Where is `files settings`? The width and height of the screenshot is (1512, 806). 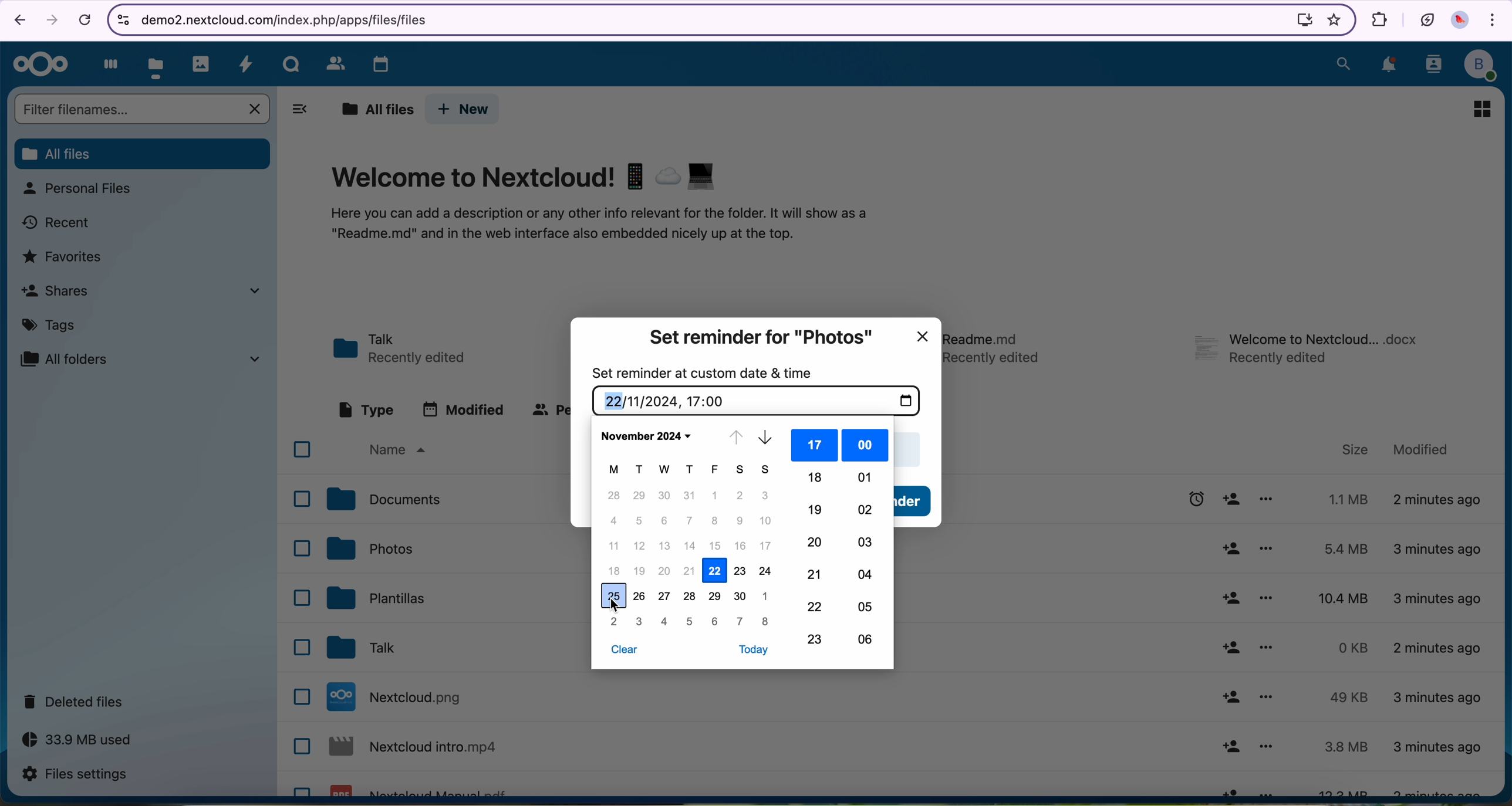
files settings is located at coordinates (75, 775).